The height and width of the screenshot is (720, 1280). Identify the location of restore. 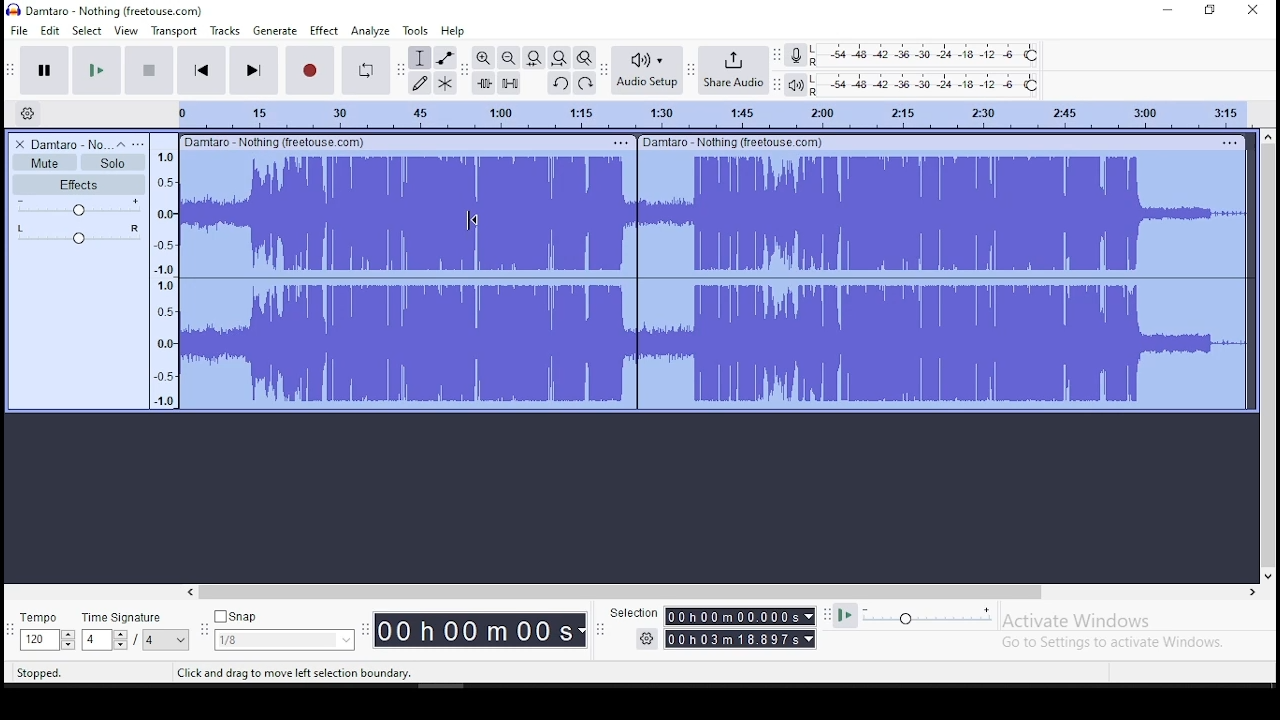
(1210, 11).